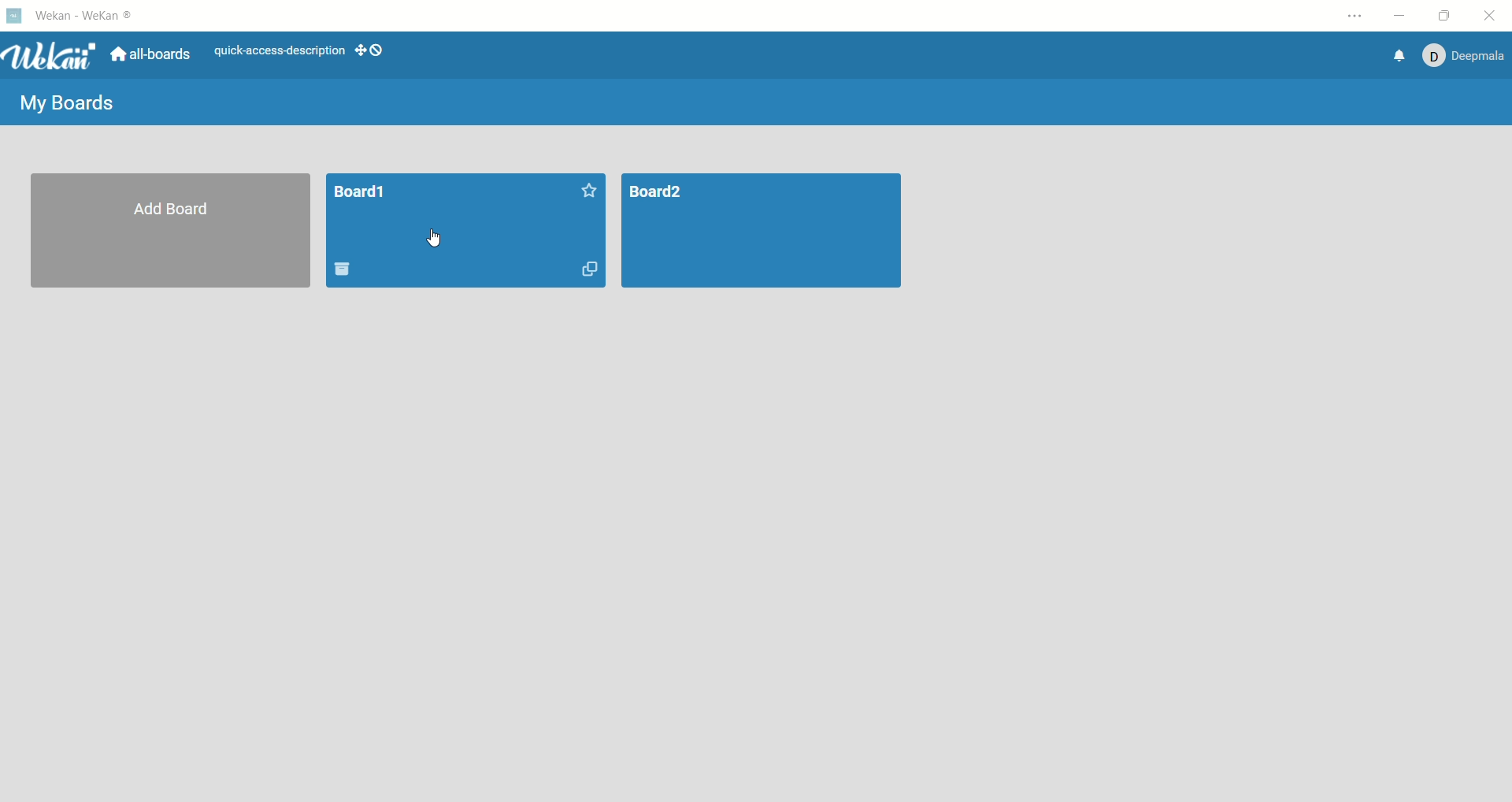 The height and width of the screenshot is (802, 1512). What do you see at coordinates (13, 15) in the screenshot?
I see `logo` at bounding box center [13, 15].